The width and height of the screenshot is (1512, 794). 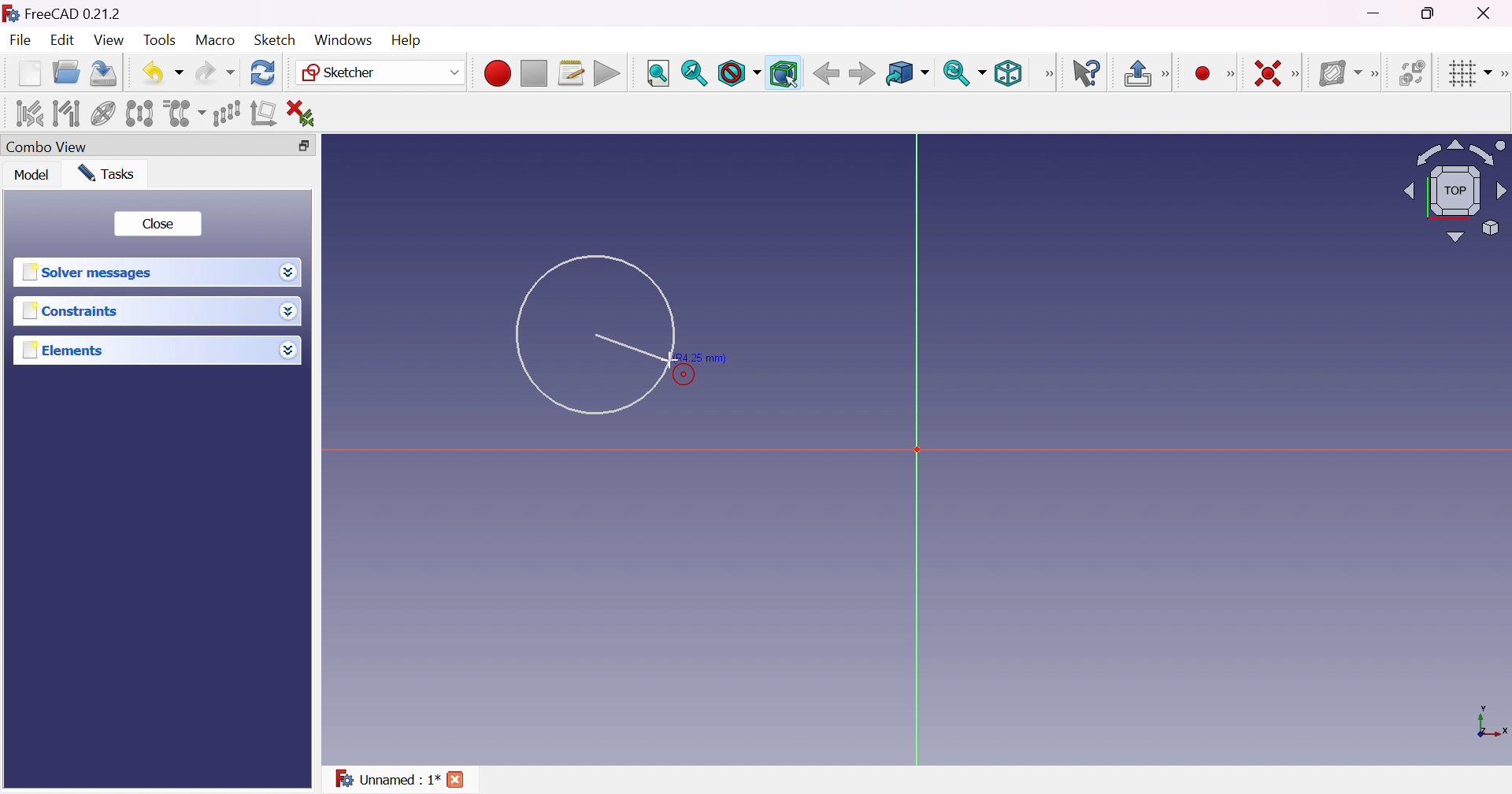 I want to click on Sync view, so click(x=963, y=72).